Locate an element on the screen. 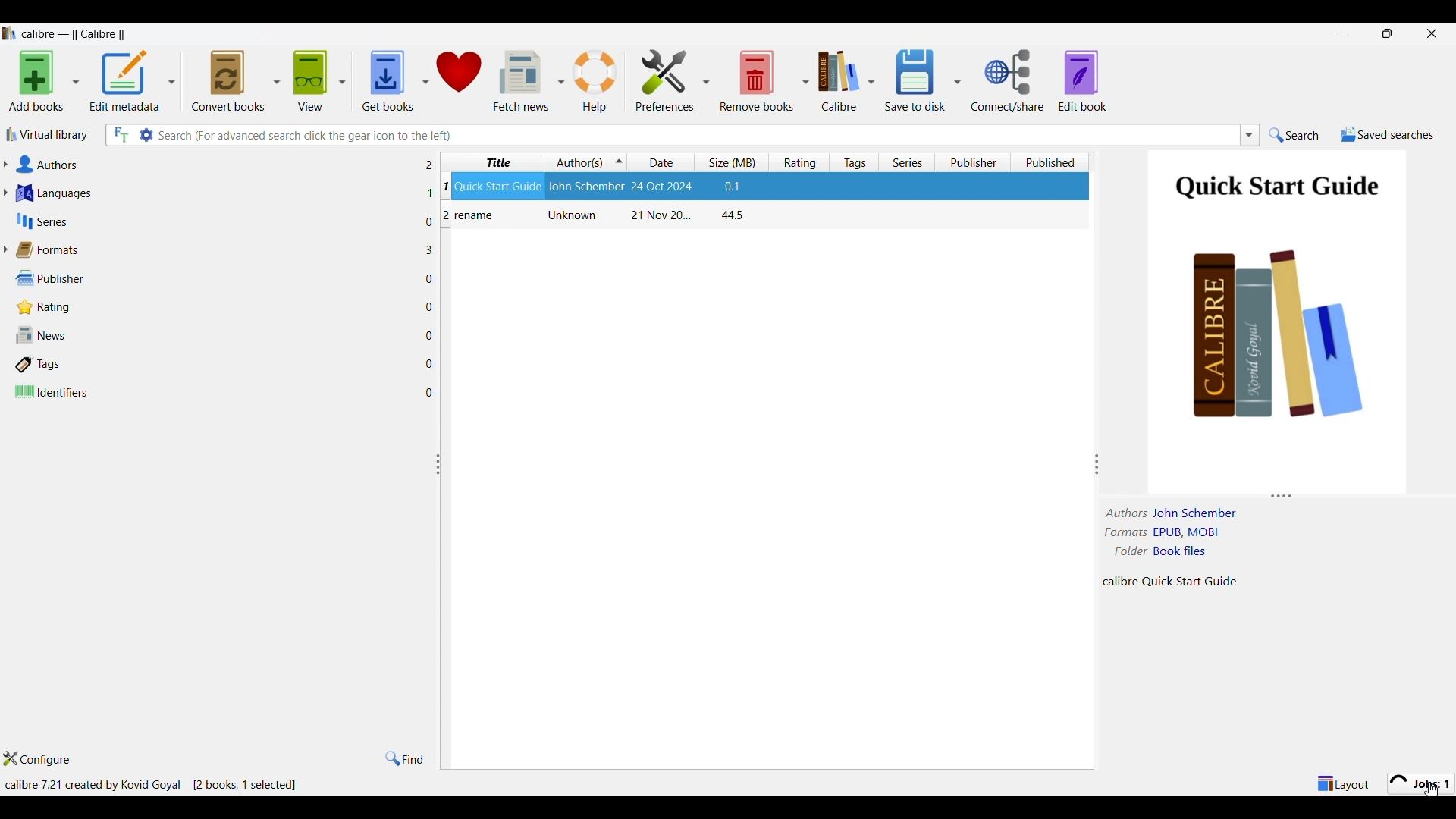 This screenshot has width=1456, height=819. View options is located at coordinates (341, 81).